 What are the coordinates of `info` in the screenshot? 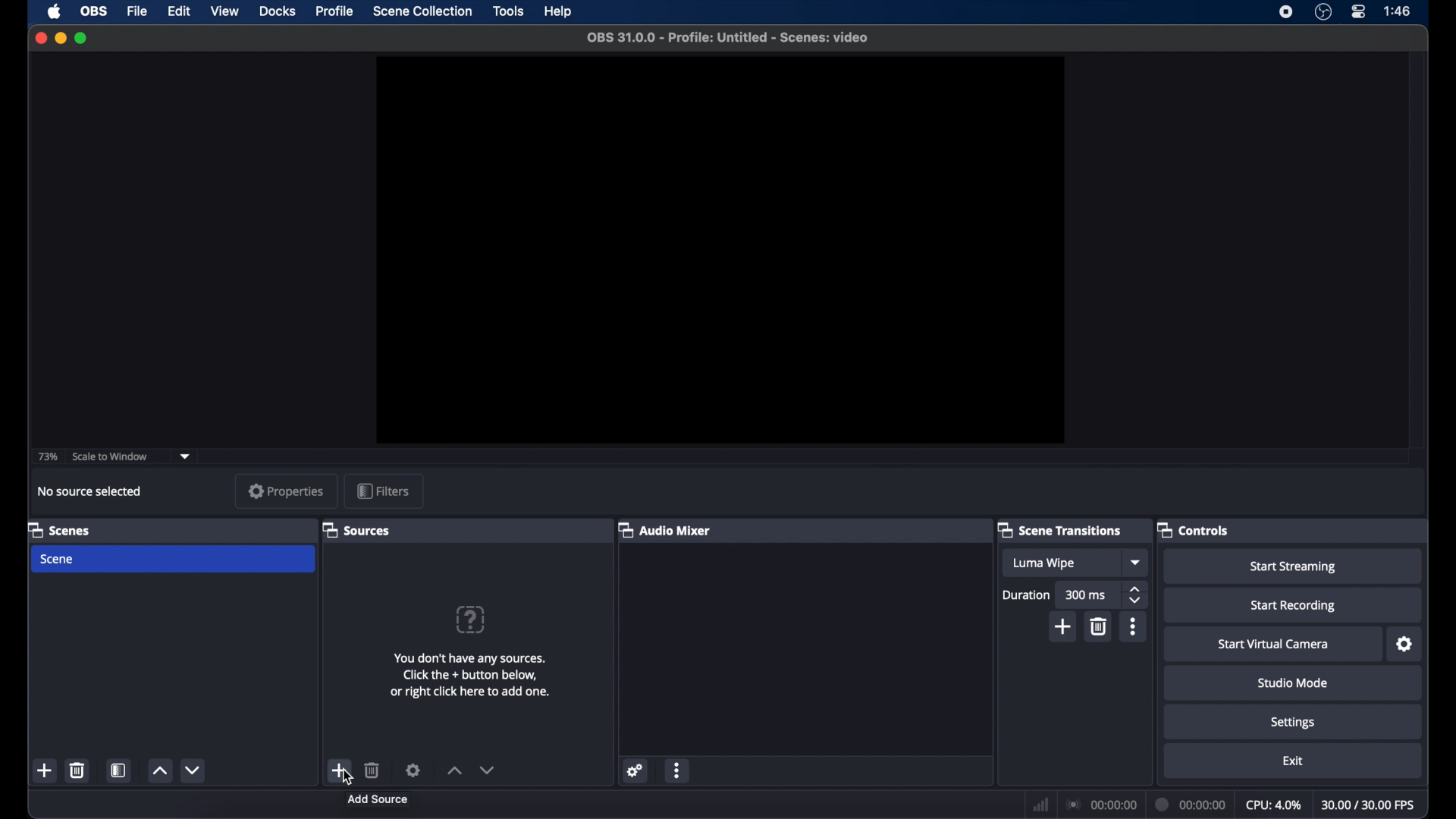 It's located at (472, 676).